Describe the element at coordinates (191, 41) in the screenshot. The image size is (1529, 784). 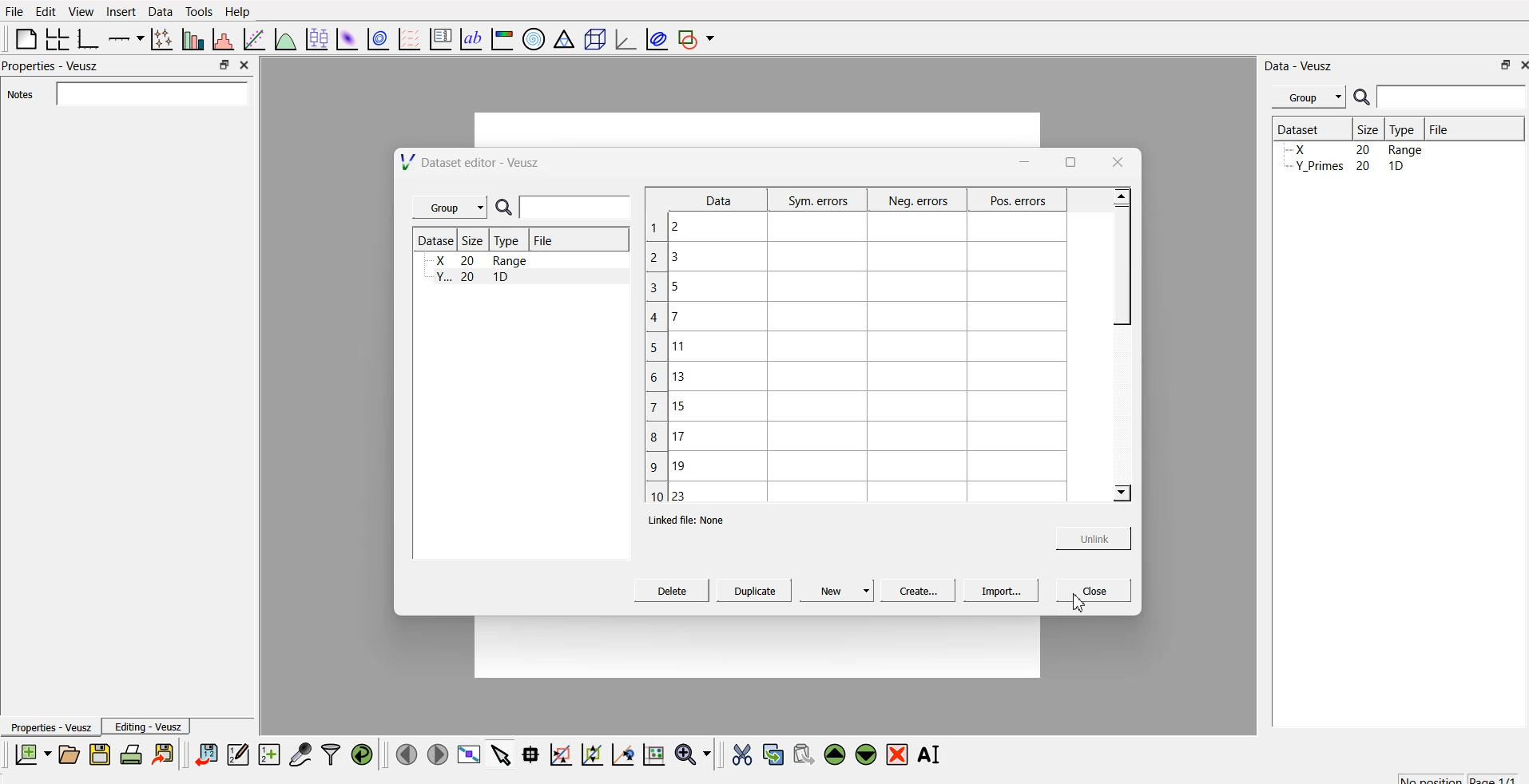
I see `plot bar chart` at that location.